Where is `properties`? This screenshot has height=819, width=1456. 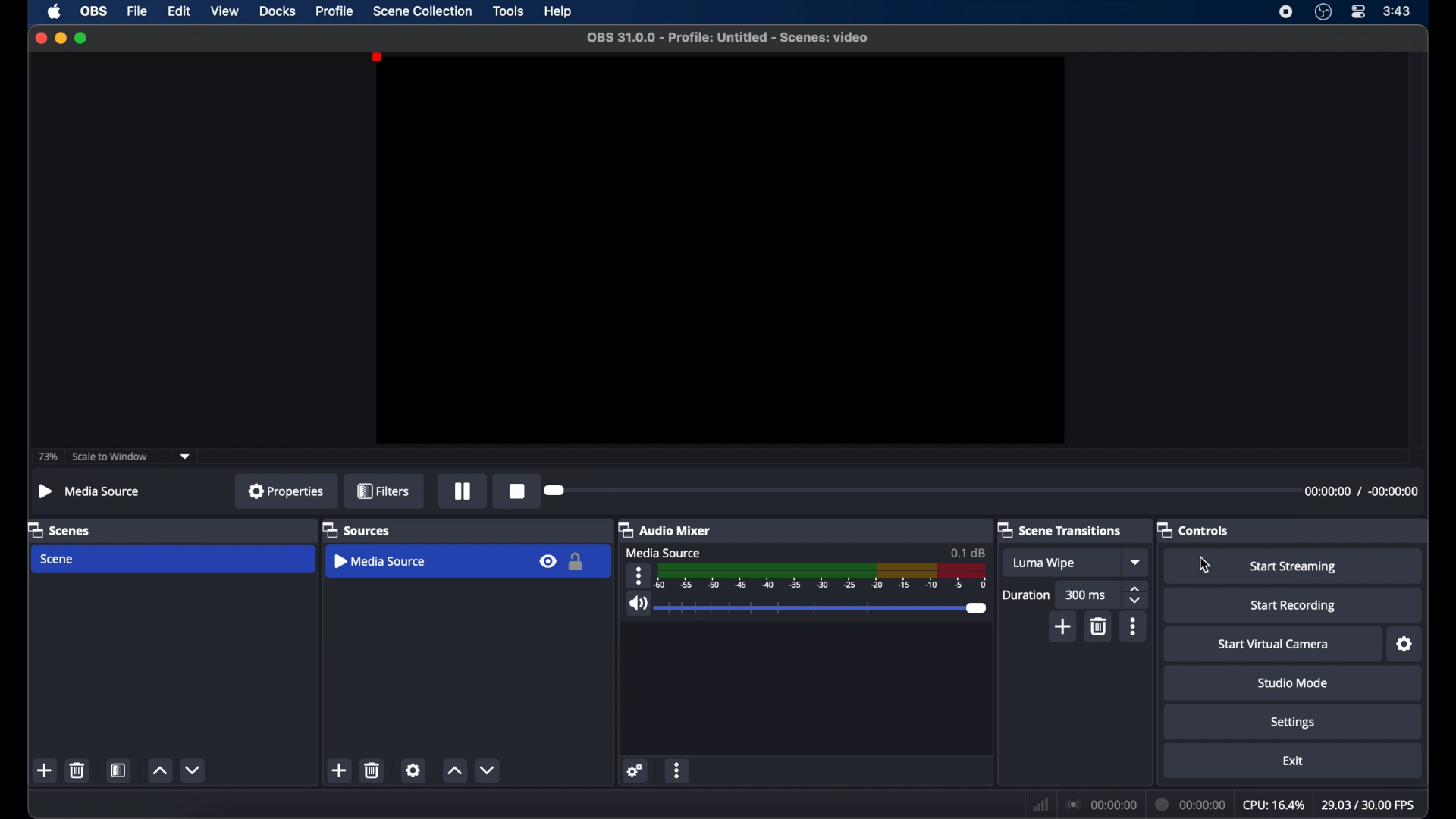
properties is located at coordinates (287, 491).